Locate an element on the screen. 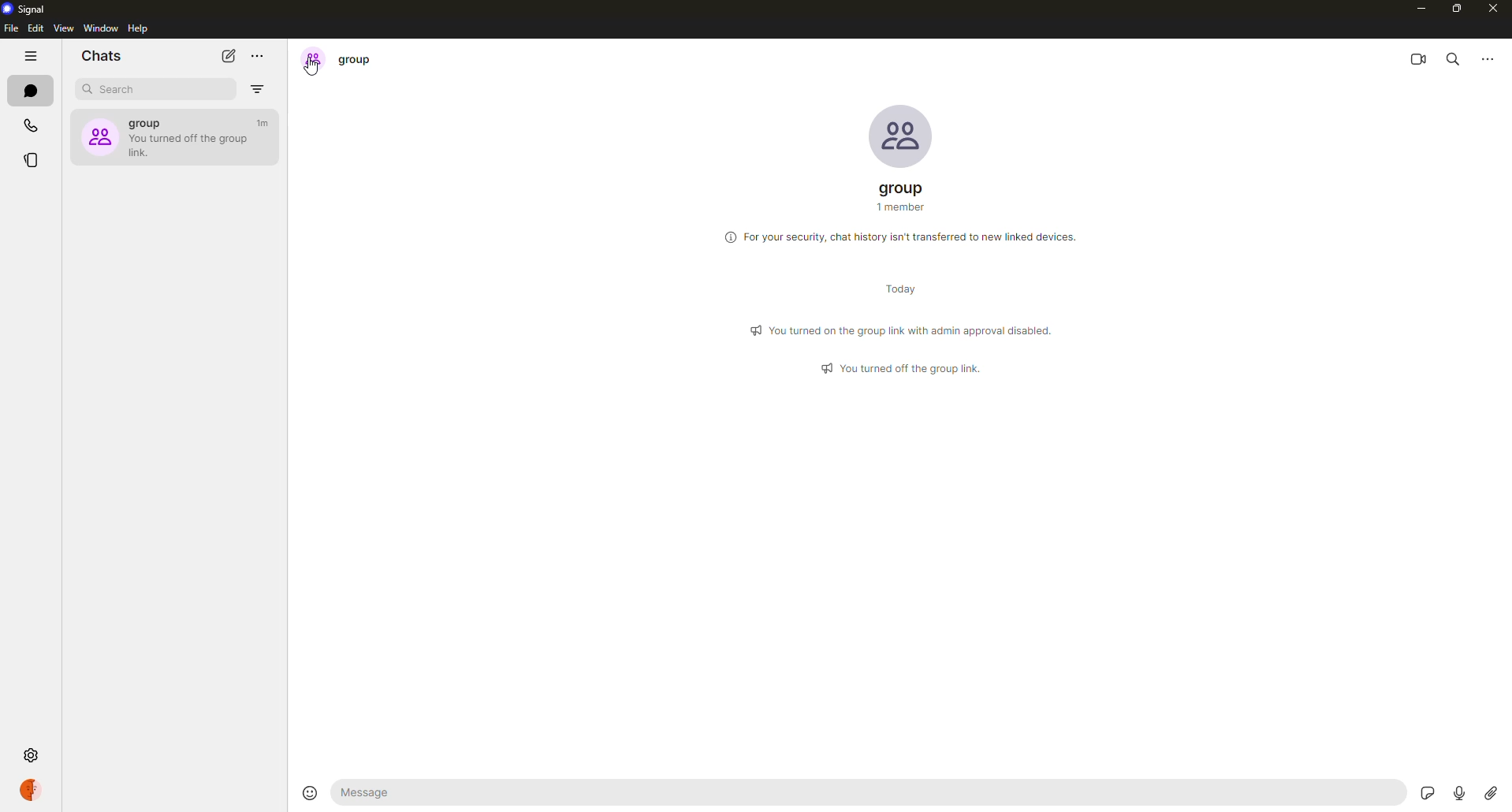  info is located at coordinates (899, 237).